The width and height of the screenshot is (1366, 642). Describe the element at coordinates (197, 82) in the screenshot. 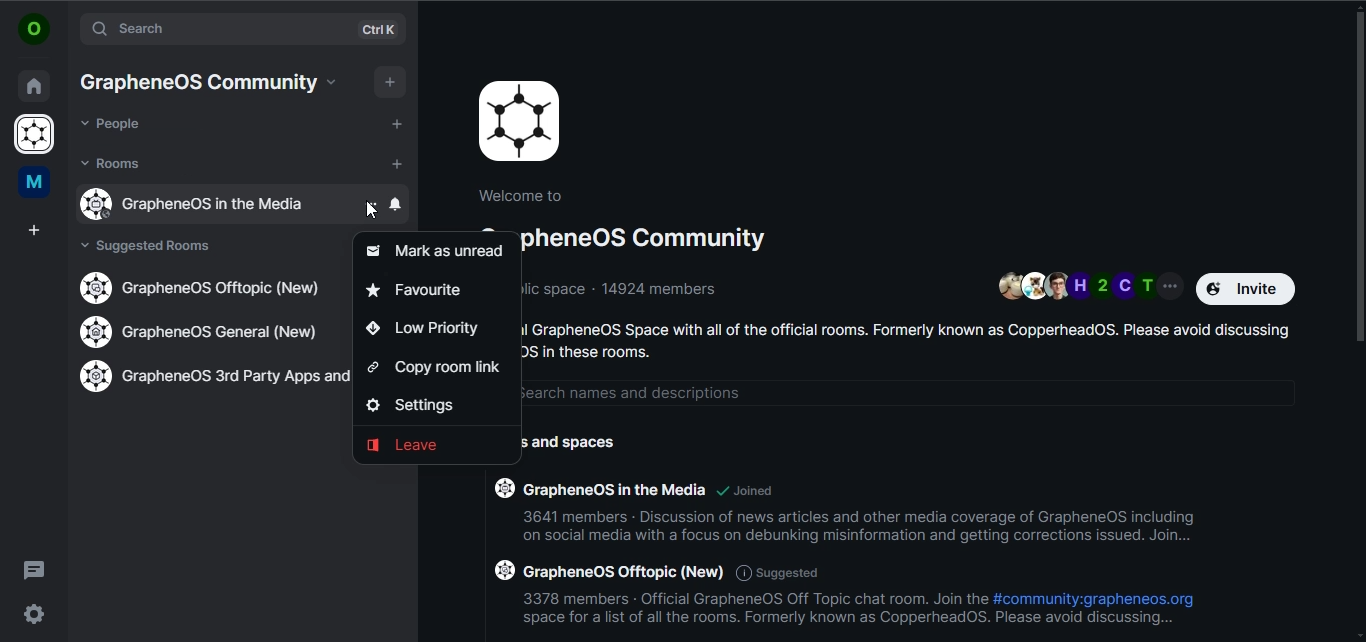

I see `GrapheneOS Commuynity` at that location.